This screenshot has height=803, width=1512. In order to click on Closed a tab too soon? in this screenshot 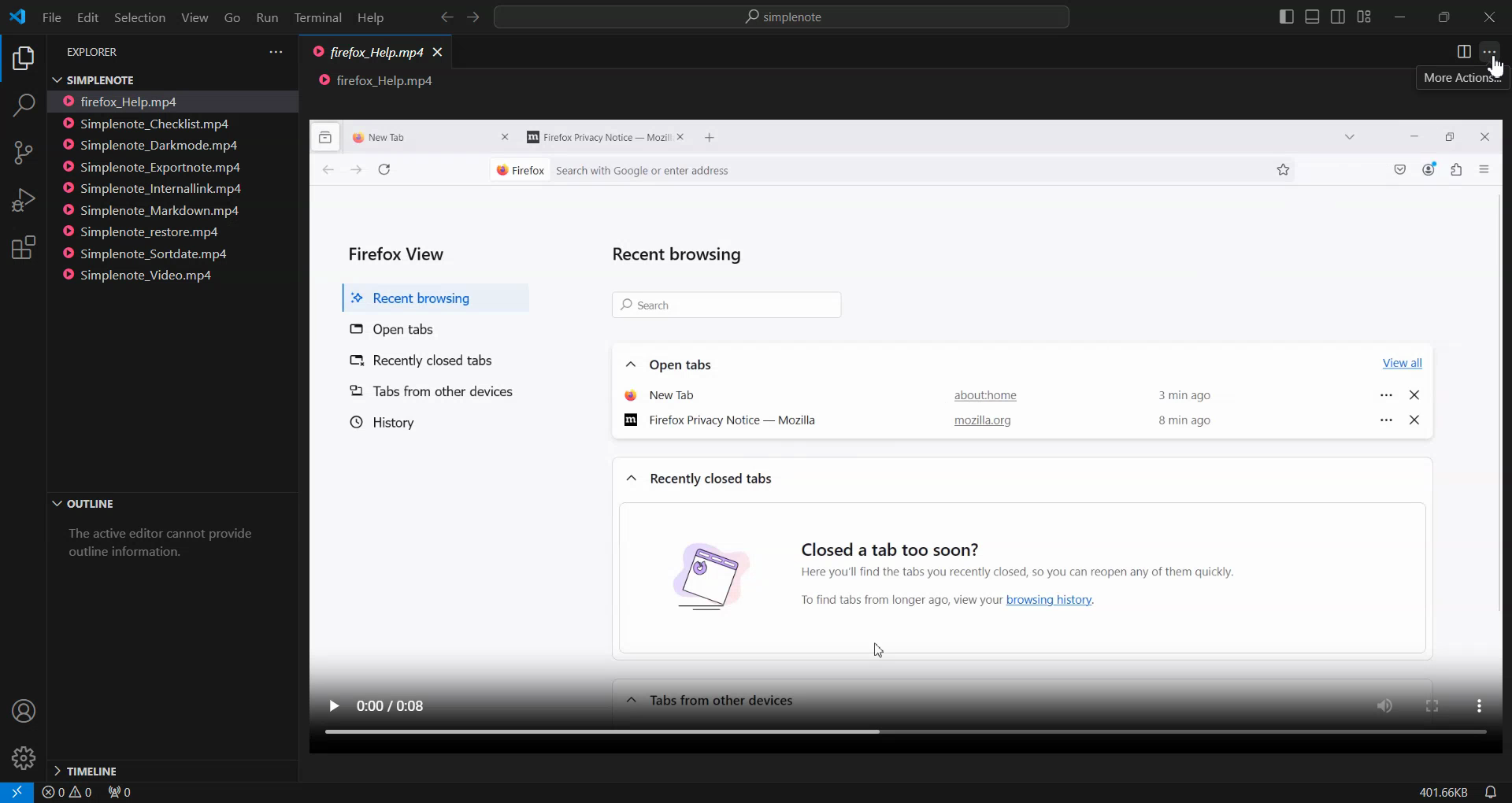, I will do `click(891, 543)`.